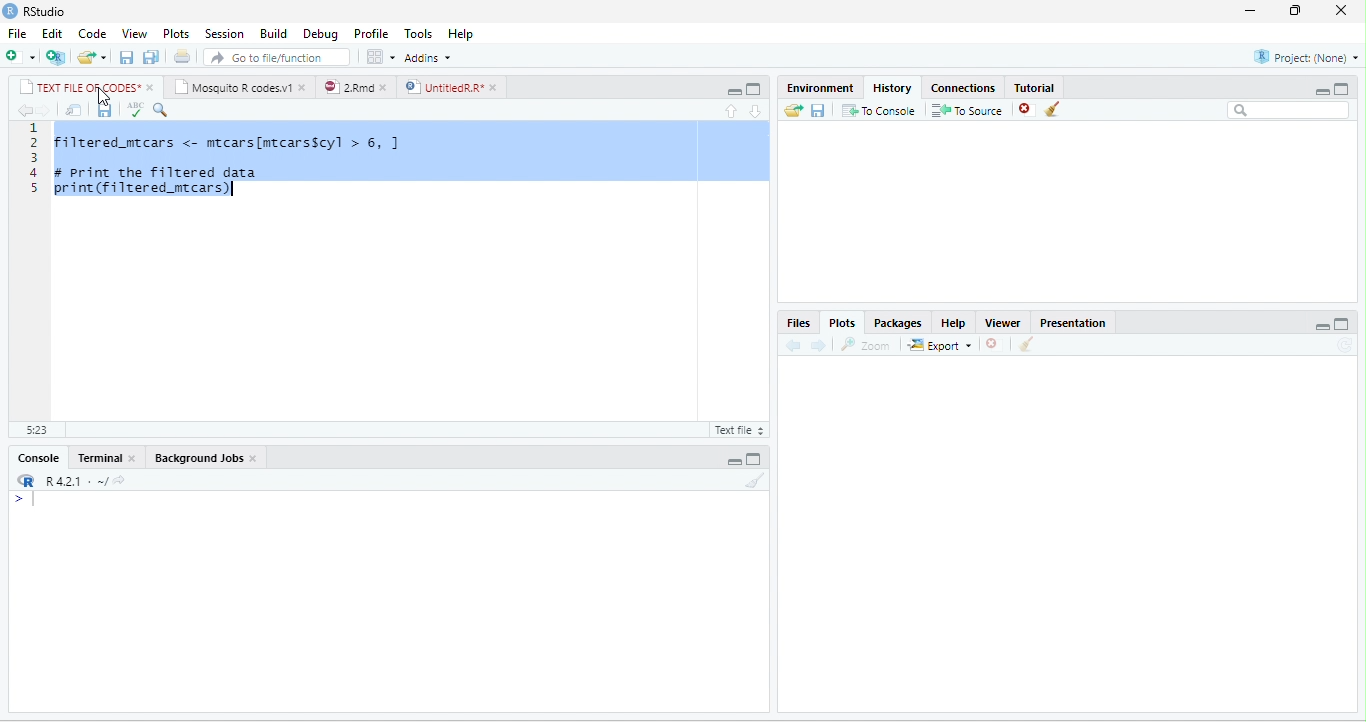  I want to click on minimize, so click(734, 461).